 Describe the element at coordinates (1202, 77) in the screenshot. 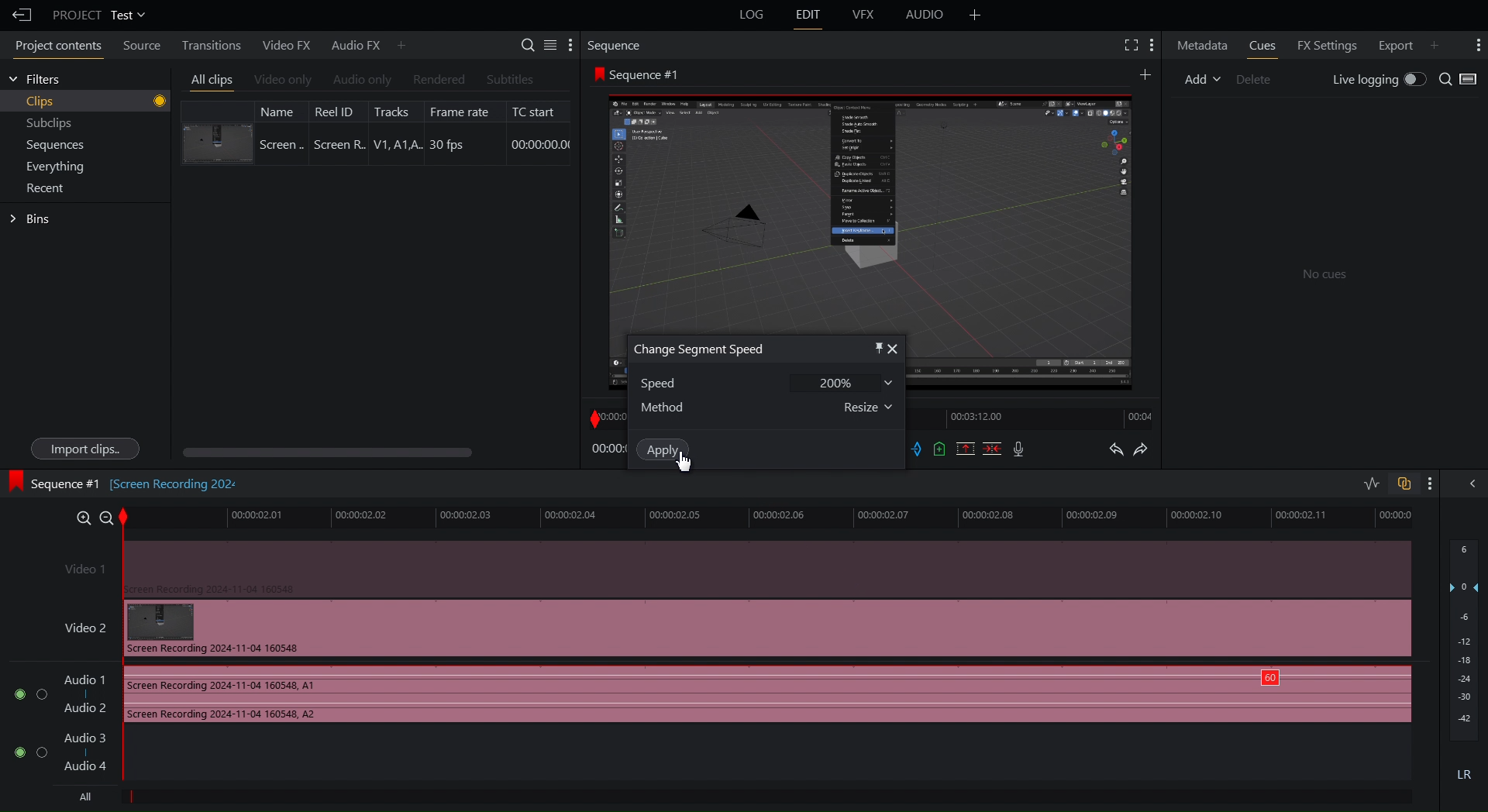

I see `Add` at that location.